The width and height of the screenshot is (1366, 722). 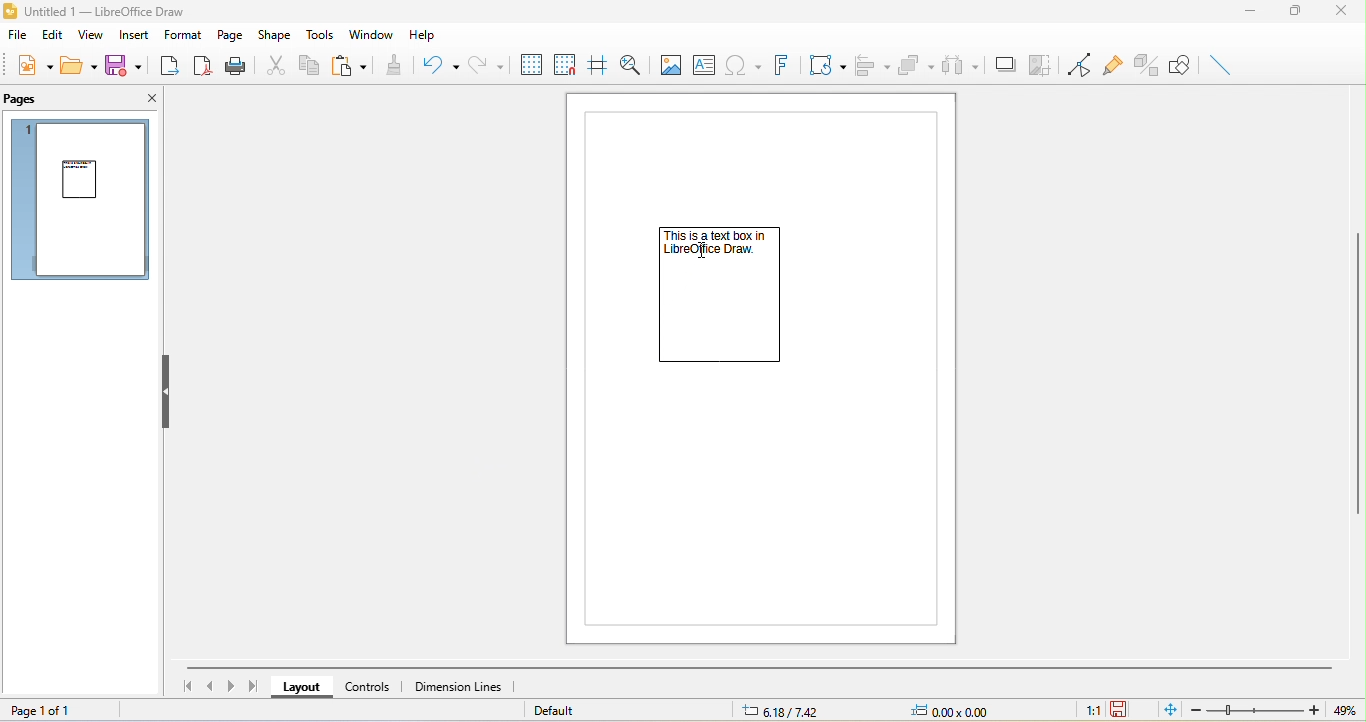 I want to click on view, so click(x=95, y=36).